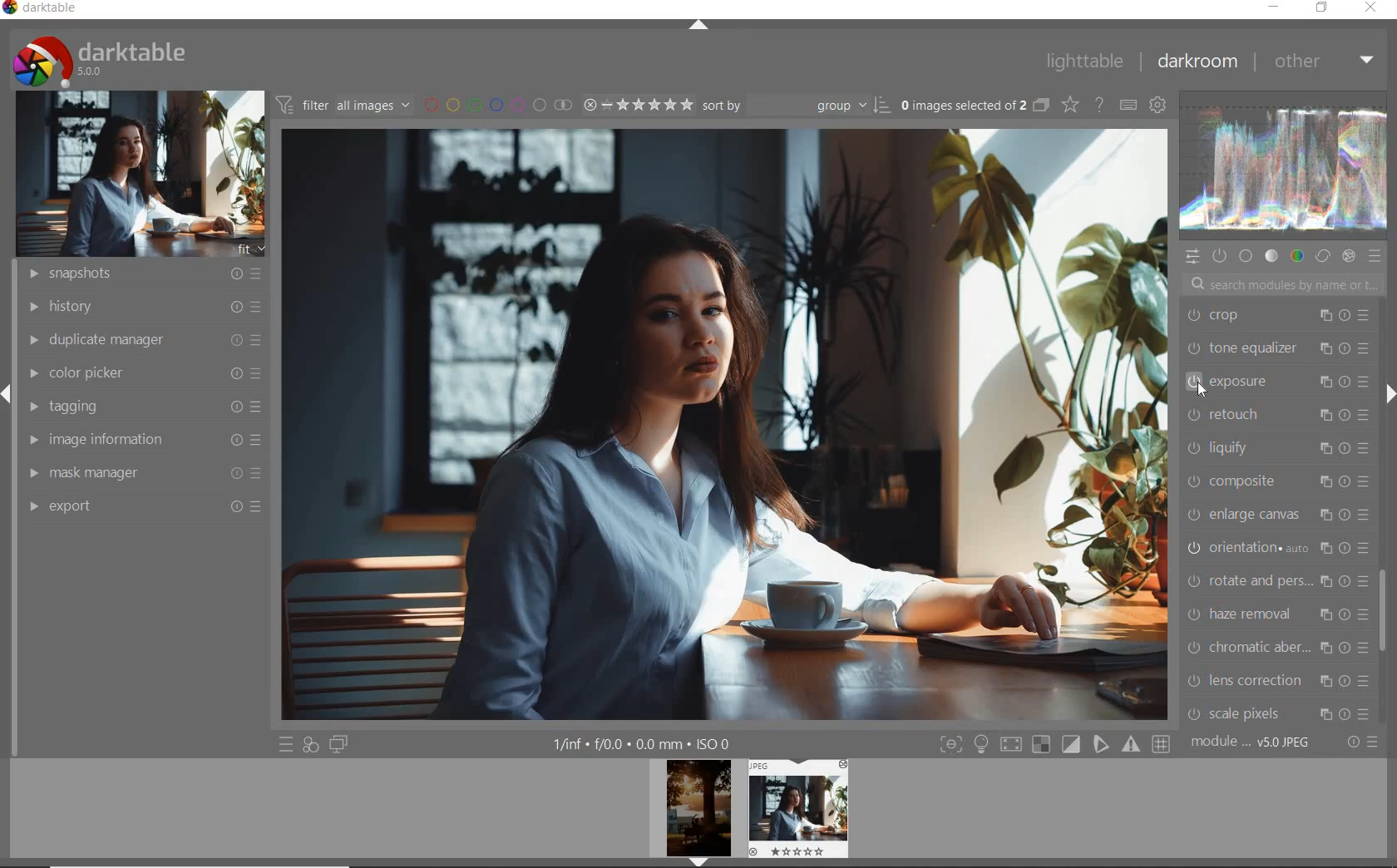  I want to click on LIGHTTABLE, so click(1085, 62).